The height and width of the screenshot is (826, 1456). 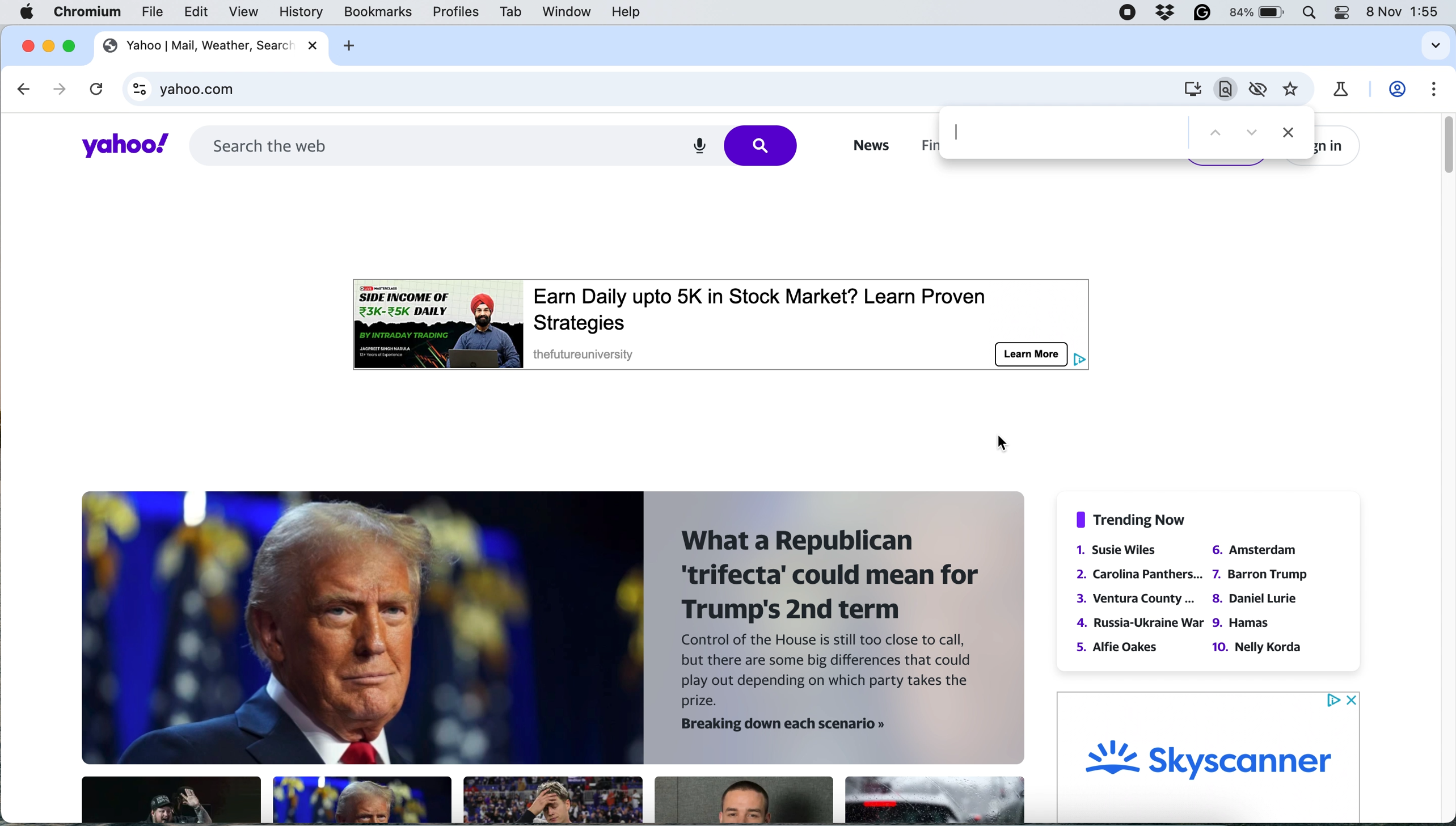 I want to click on search bar, so click(x=427, y=144).